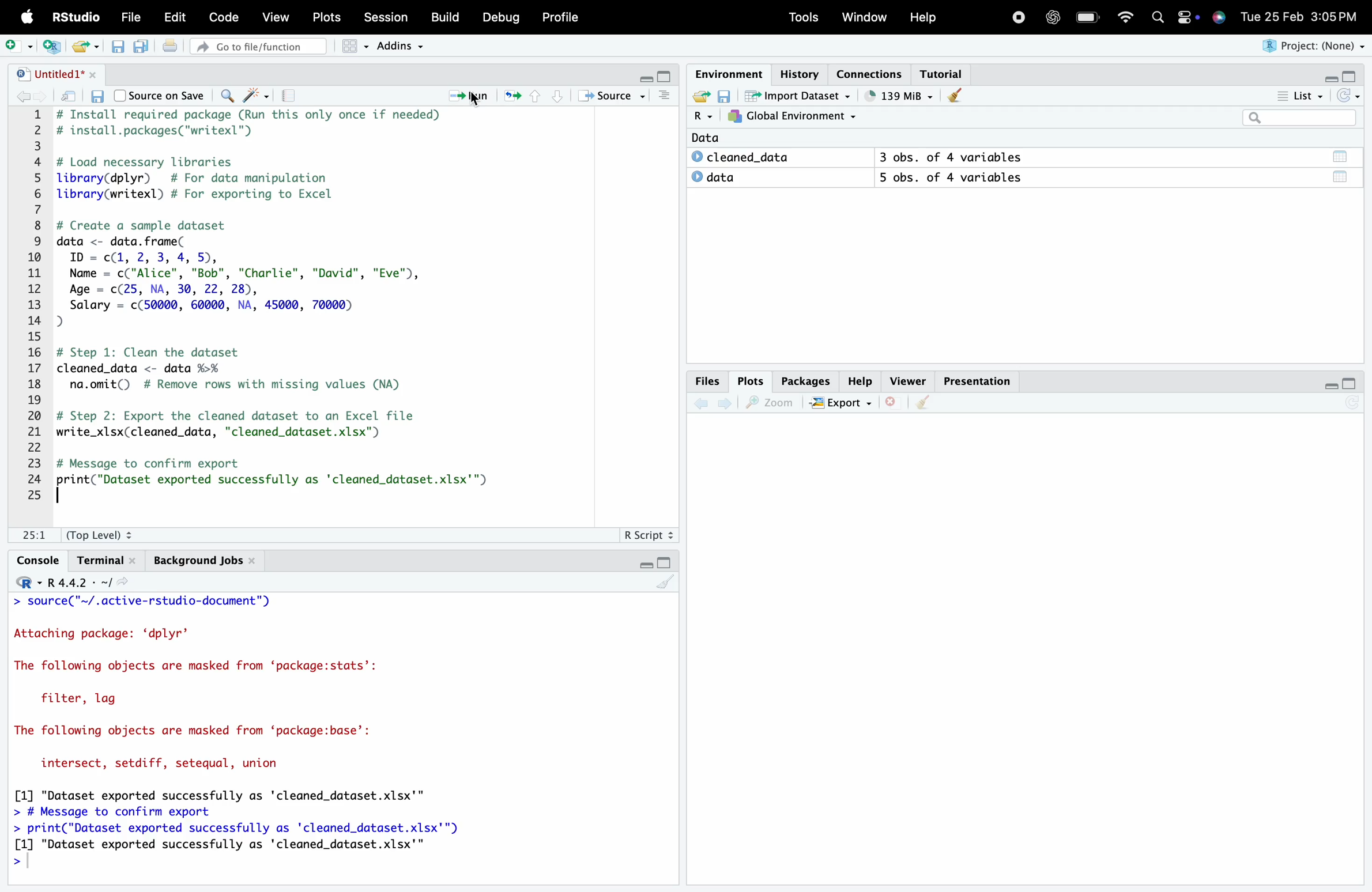  I want to click on Maximize/Restore, so click(1350, 74).